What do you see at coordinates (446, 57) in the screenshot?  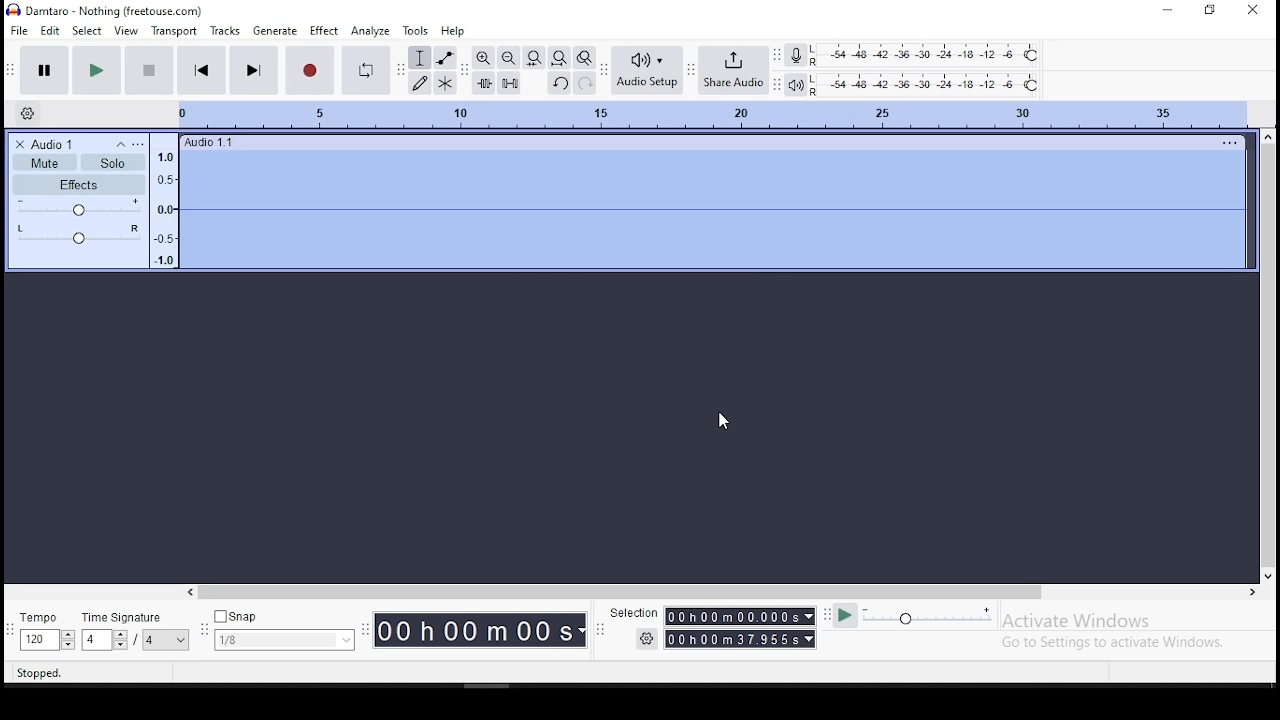 I see `envelope tool` at bounding box center [446, 57].